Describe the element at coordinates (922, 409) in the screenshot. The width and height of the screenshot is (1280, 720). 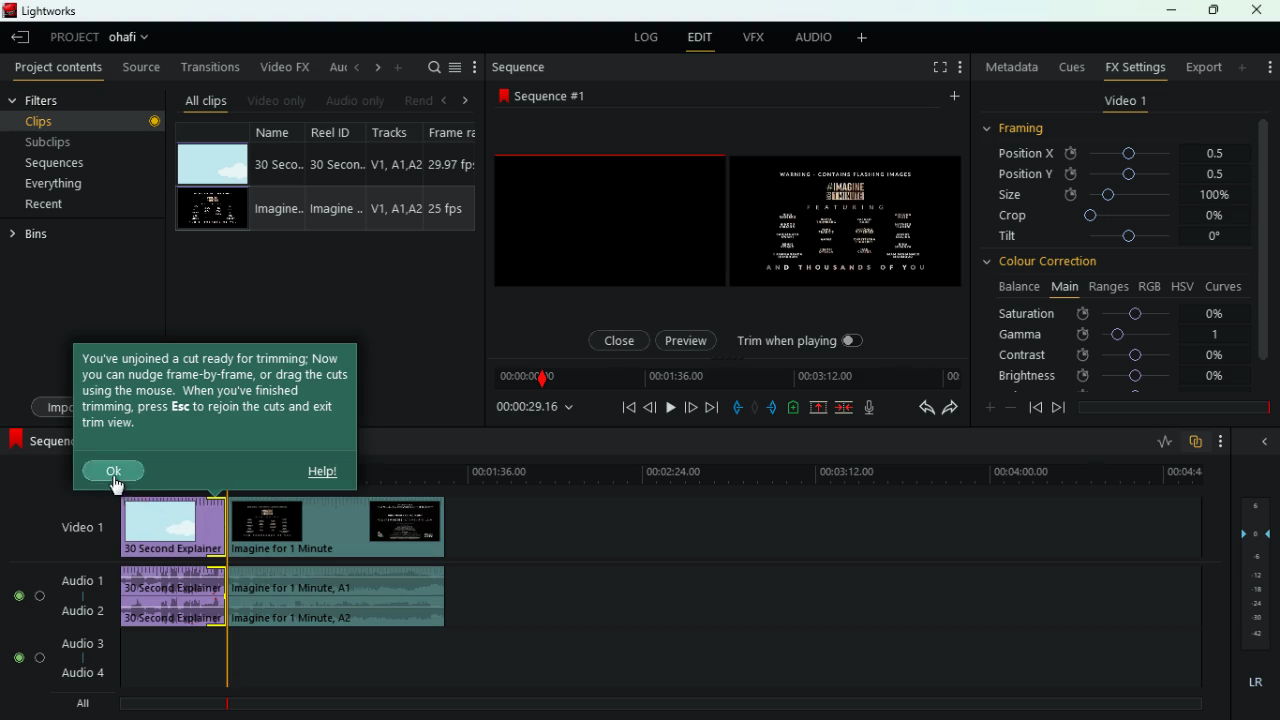
I see `back` at that location.